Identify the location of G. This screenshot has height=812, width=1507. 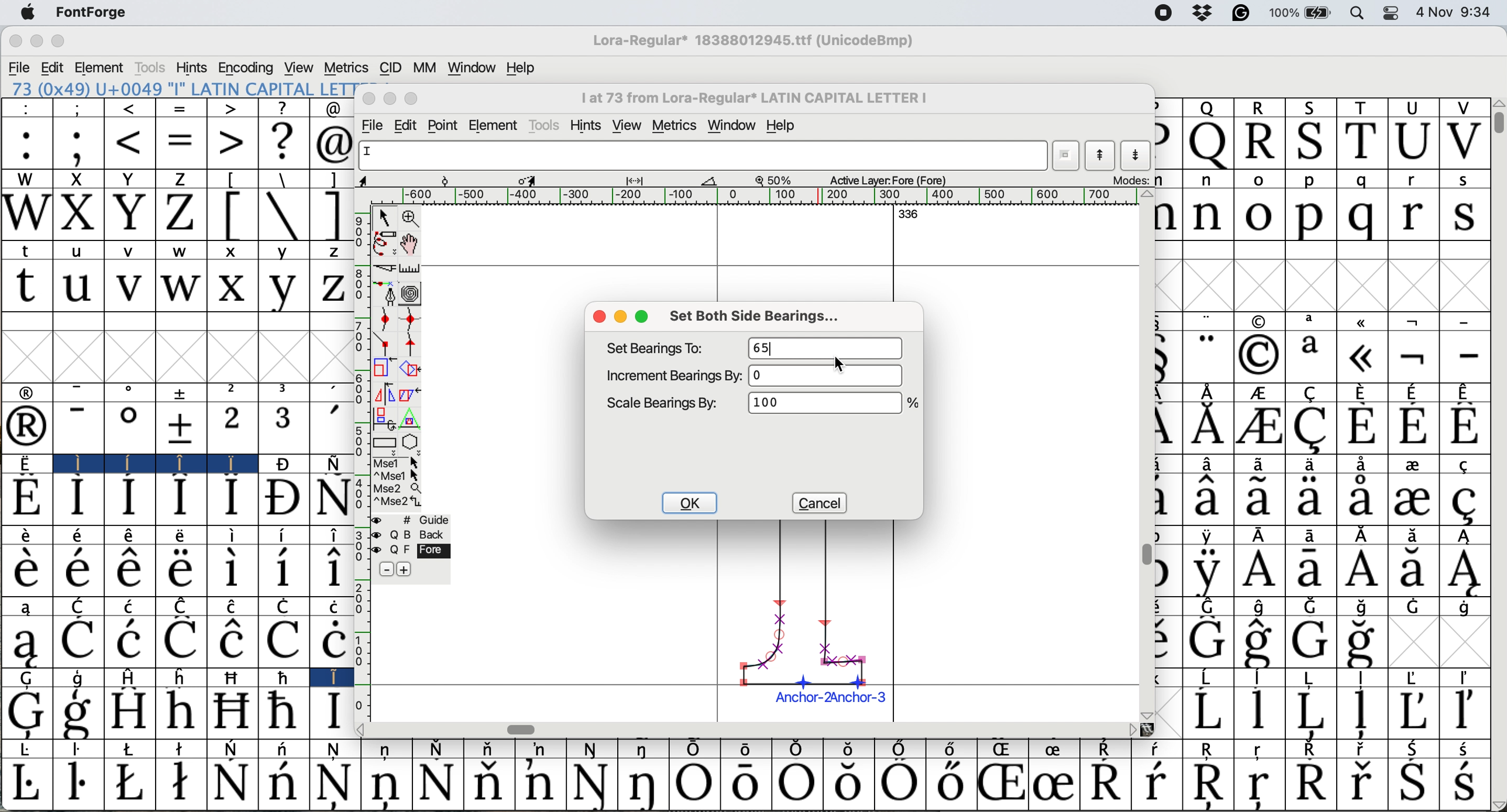
(29, 679).